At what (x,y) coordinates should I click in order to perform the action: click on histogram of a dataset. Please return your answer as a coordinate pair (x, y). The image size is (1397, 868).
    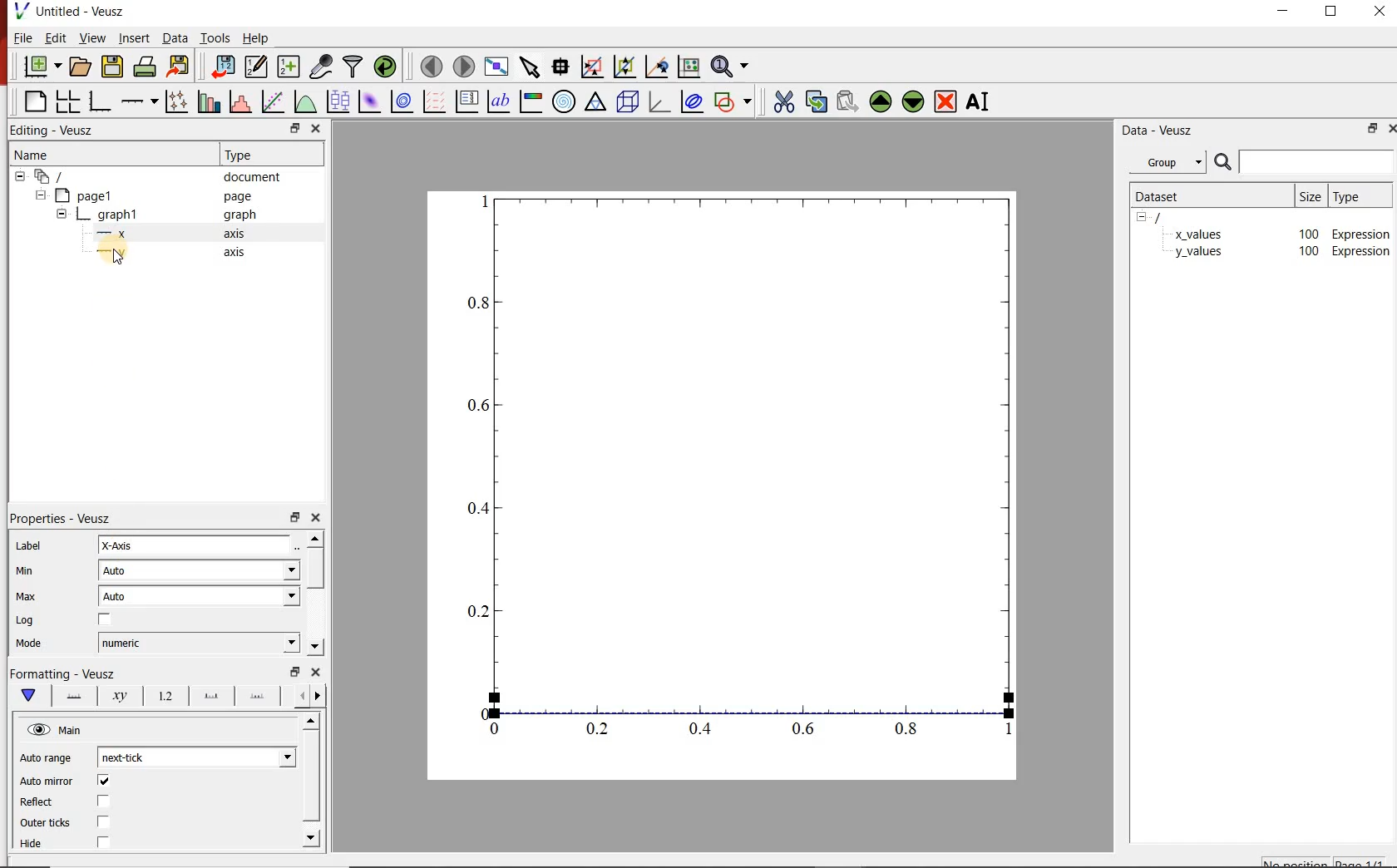
    Looking at the image, I should click on (241, 102).